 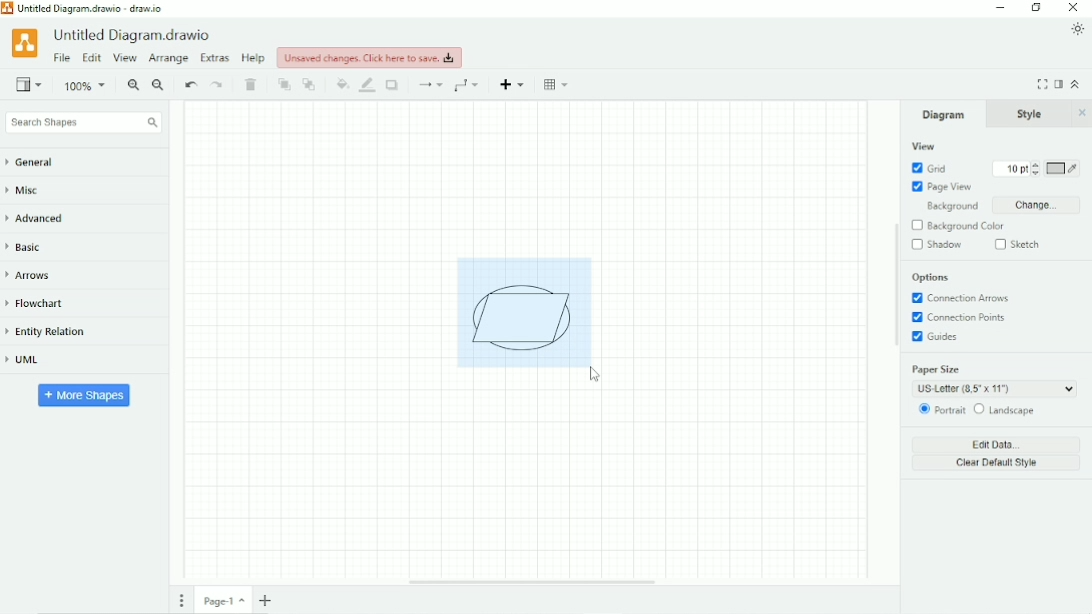 I want to click on Options, so click(x=931, y=278).